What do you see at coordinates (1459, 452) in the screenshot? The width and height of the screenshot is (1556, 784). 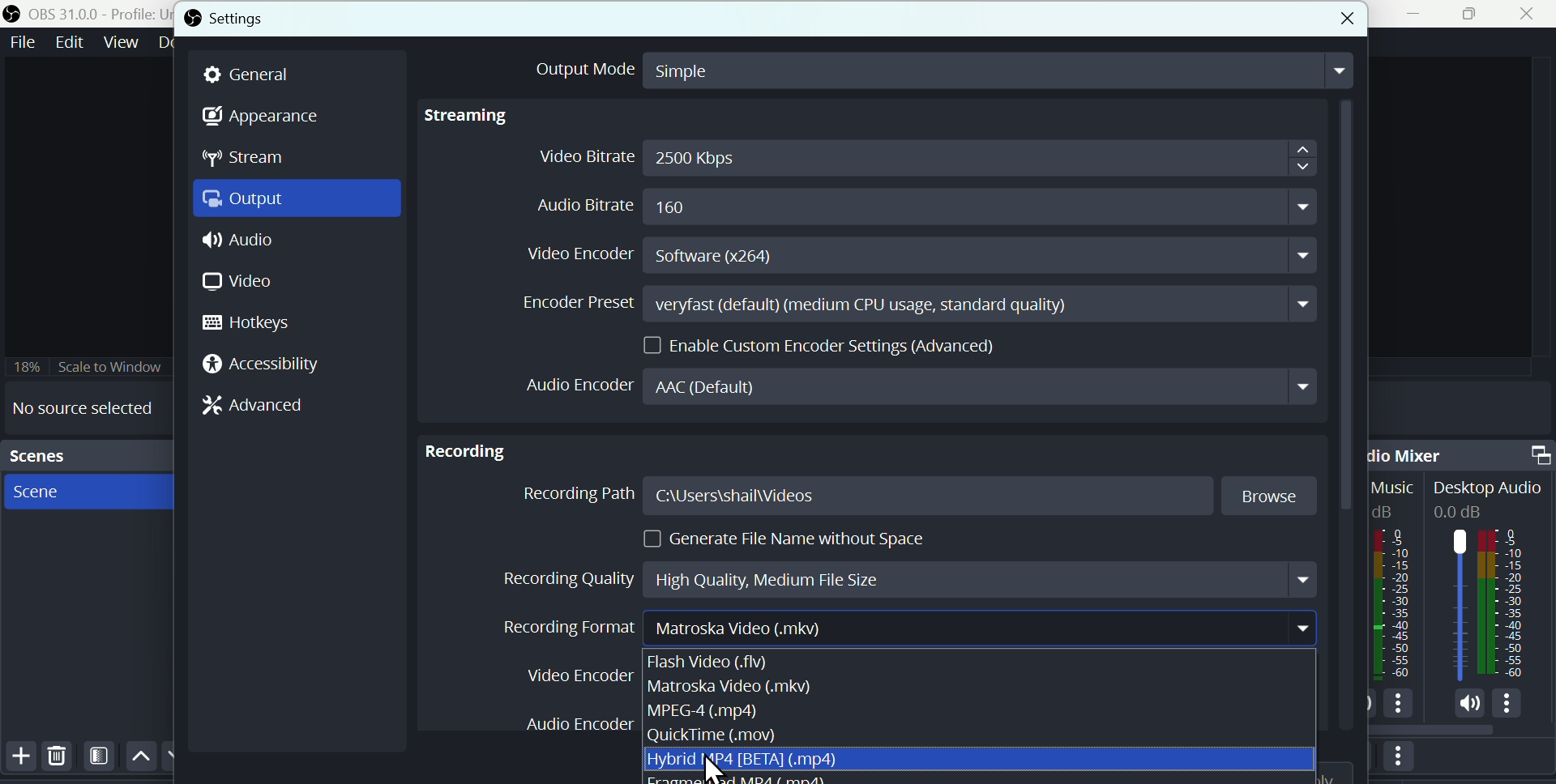 I see `Audio mixer` at bounding box center [1459, 452].